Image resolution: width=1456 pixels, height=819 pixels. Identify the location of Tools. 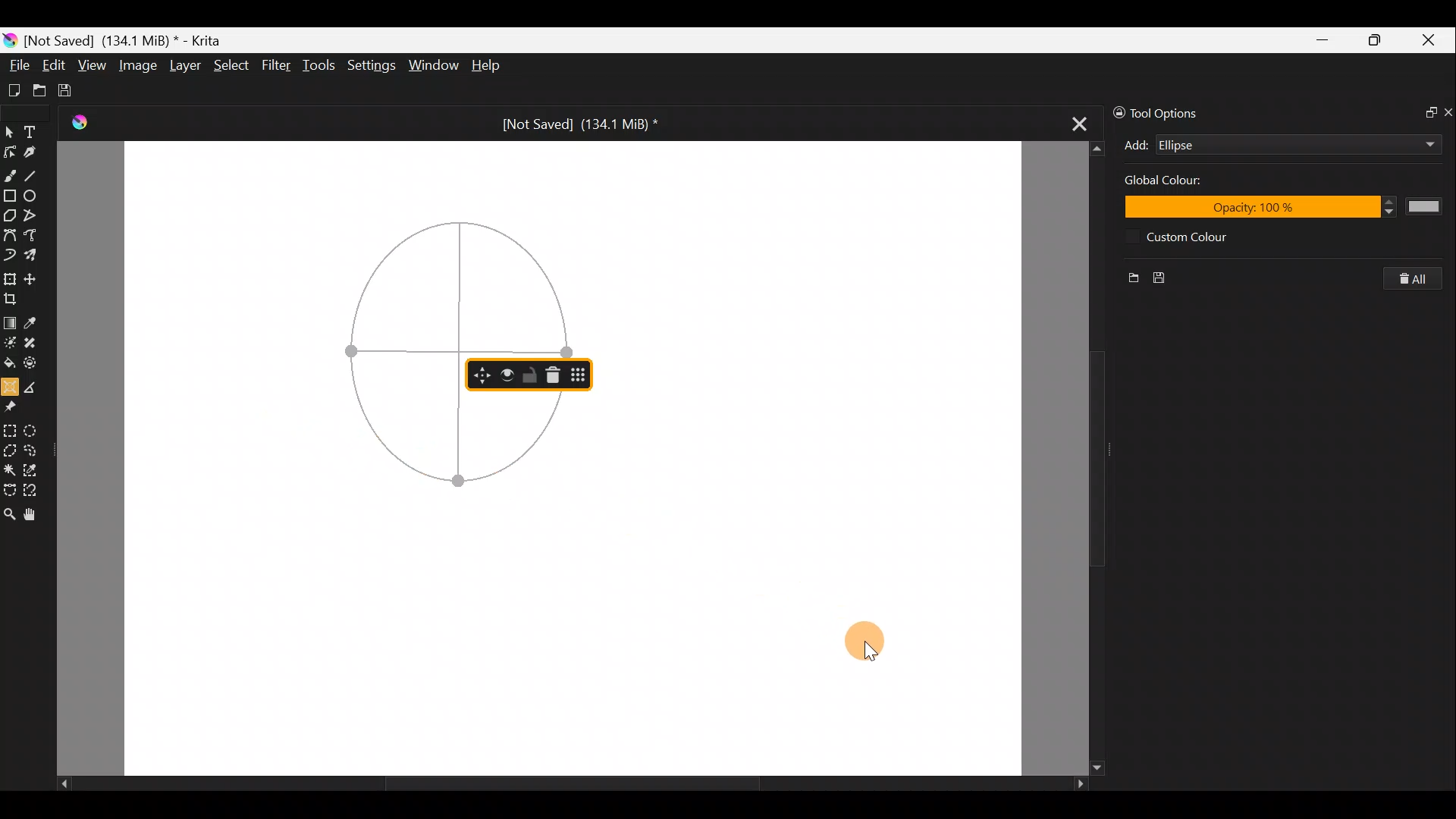
(322, 67).